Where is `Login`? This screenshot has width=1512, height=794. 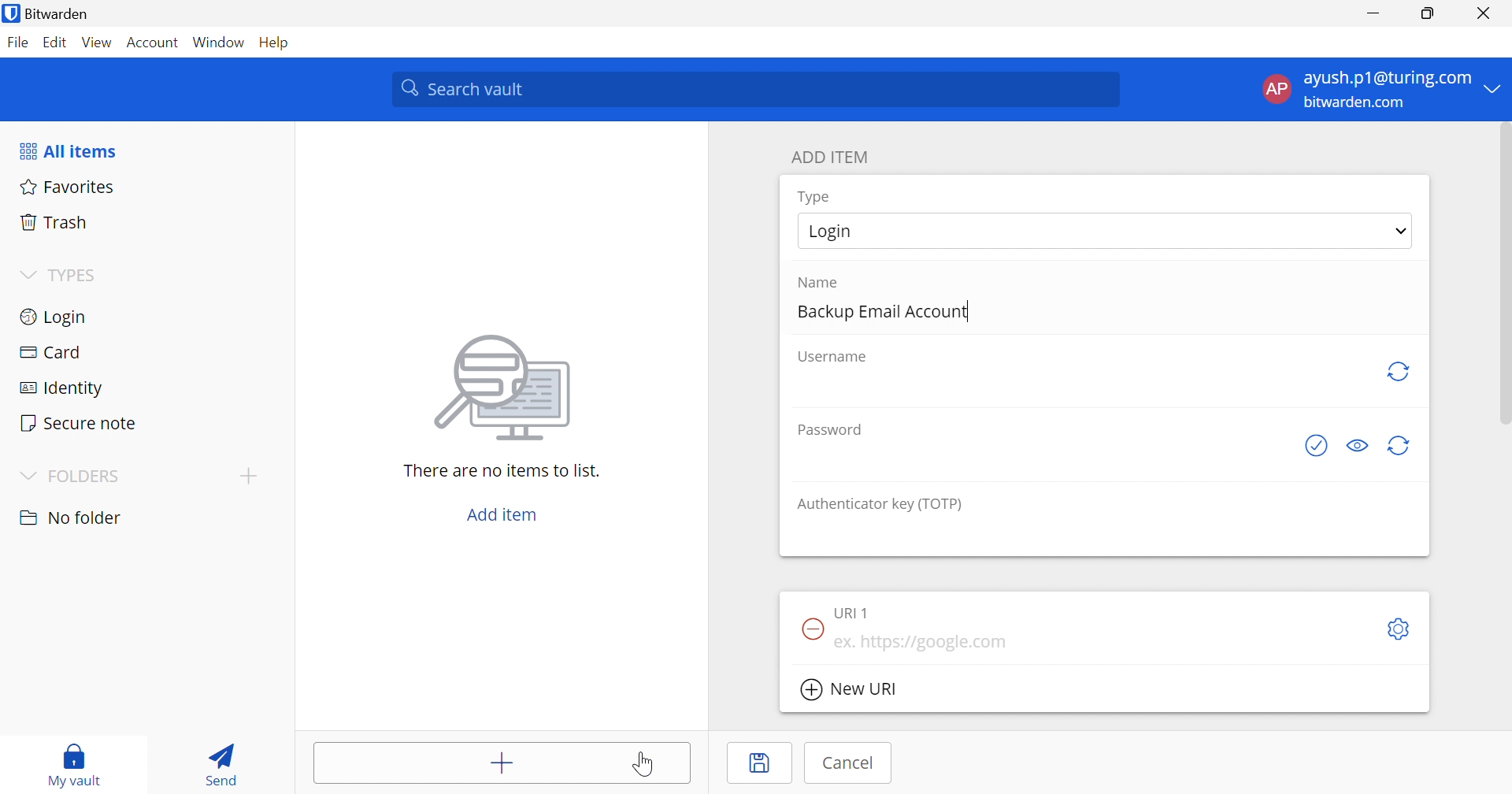 Login is located at coordinates (829, 232).